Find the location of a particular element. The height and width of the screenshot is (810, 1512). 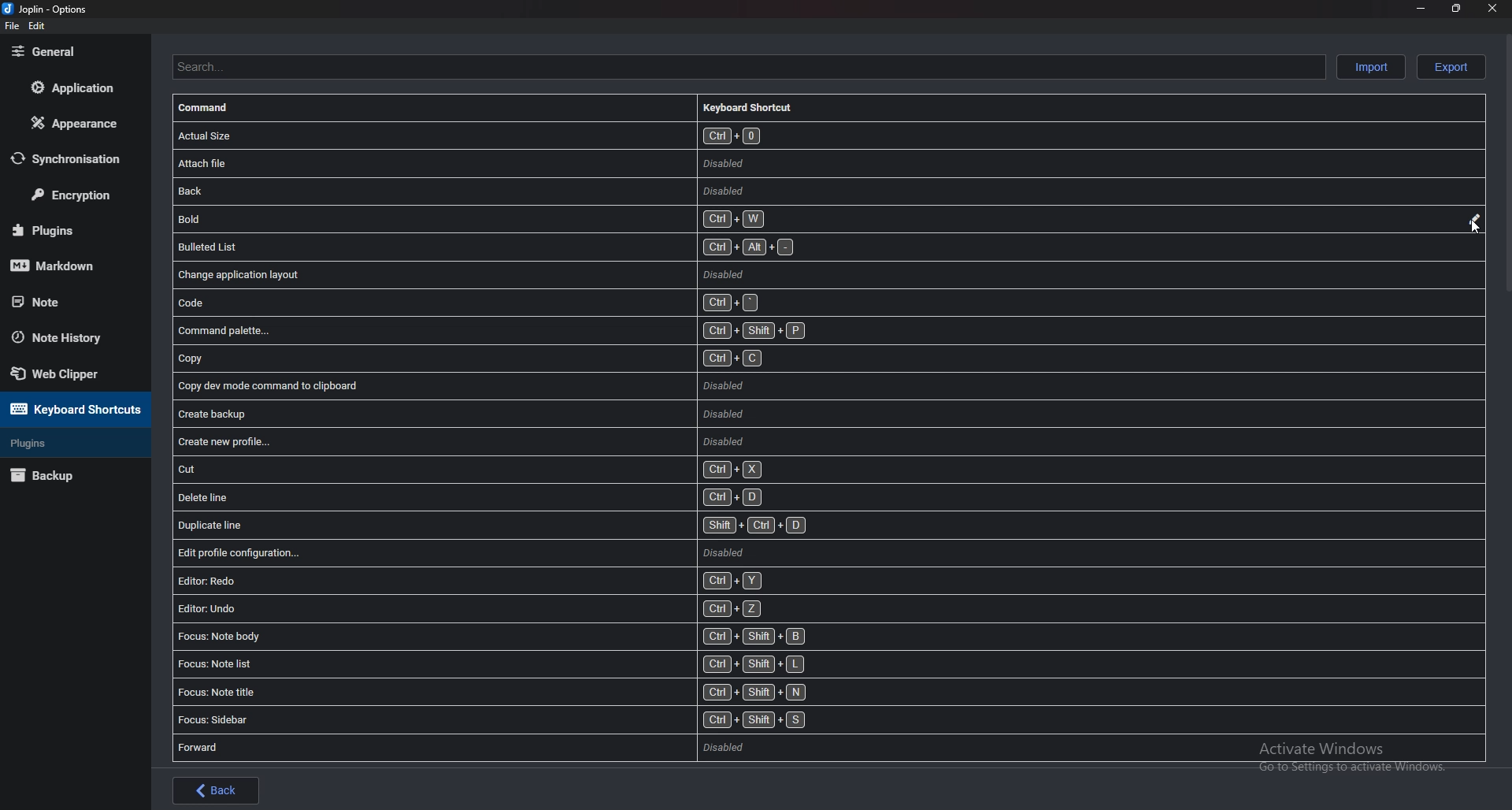

Create backup is located at coordinates (465, 414).